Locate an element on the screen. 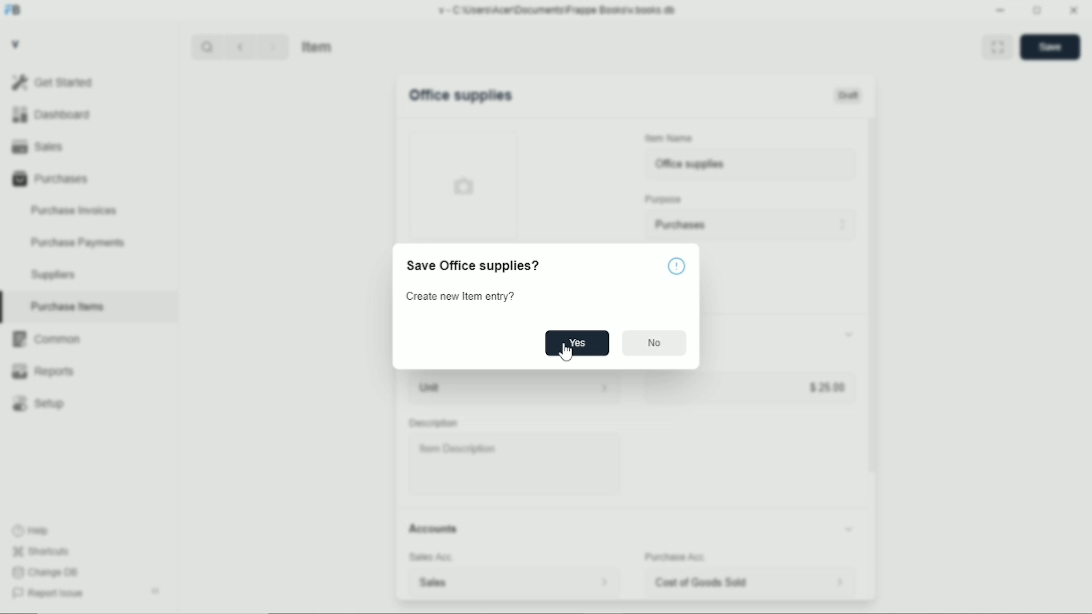 The height and width of the screenshot is (614, 1092). save is located at coordinates (1051, 47).